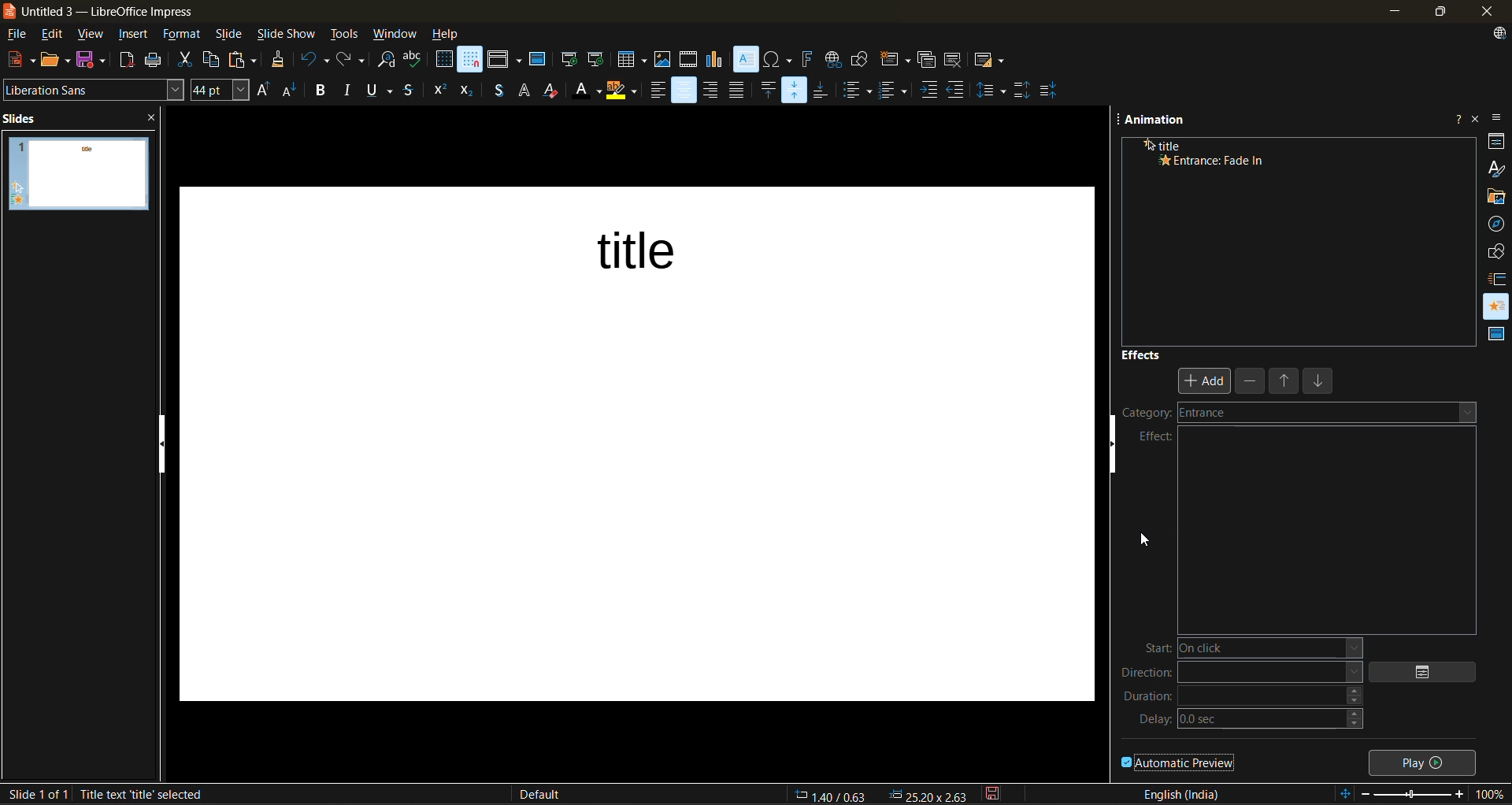 This screenshot has width=1512, height=805. What do you see at coordinates (25, 117) in the screenshot?
I see `slides` at bounding box center [25, 117].